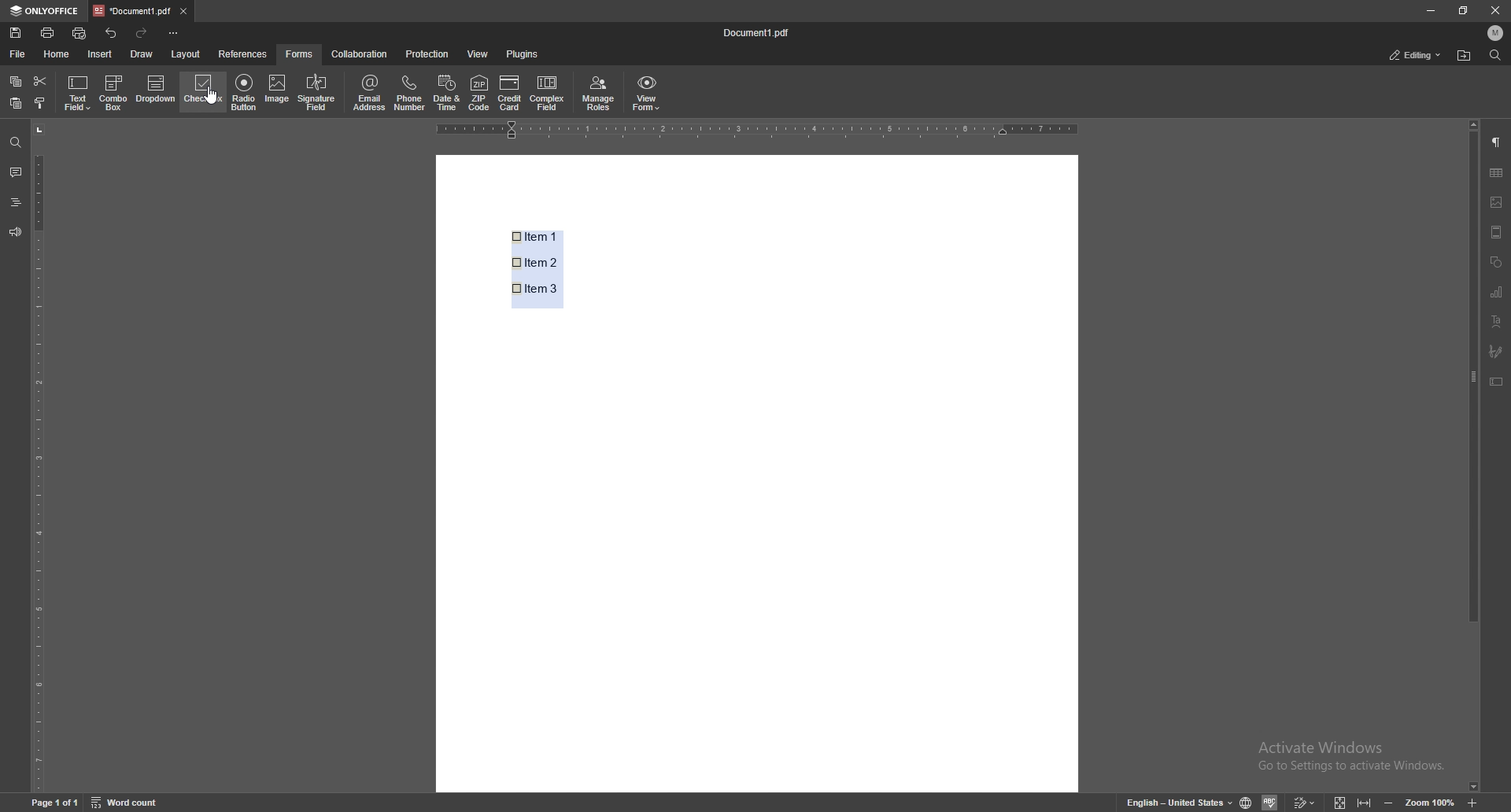  I want to click on zip code, so click(480, 94).